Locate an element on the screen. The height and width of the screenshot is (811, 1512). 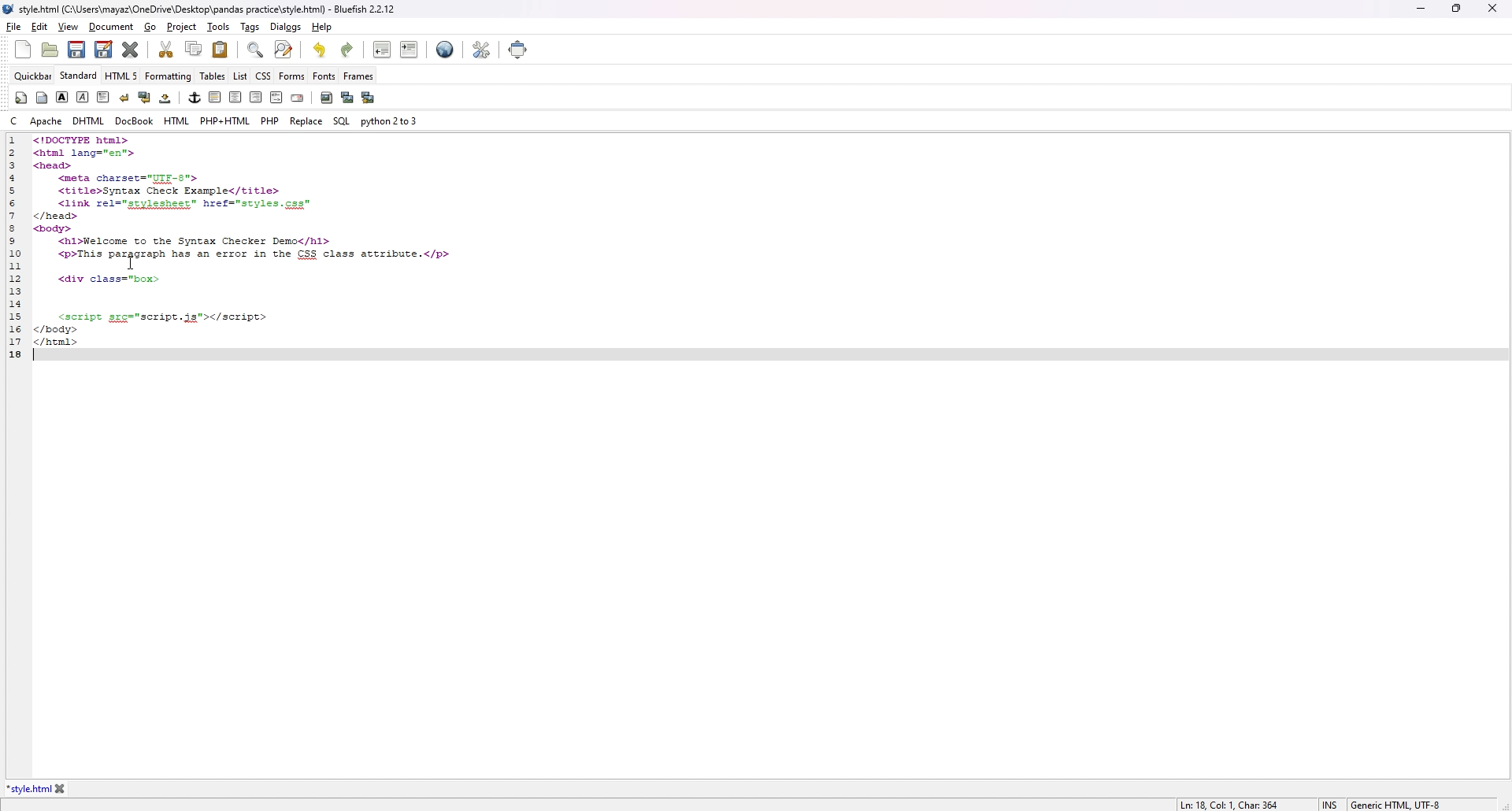
advanced find and replace is located at coordinates (283, 49).